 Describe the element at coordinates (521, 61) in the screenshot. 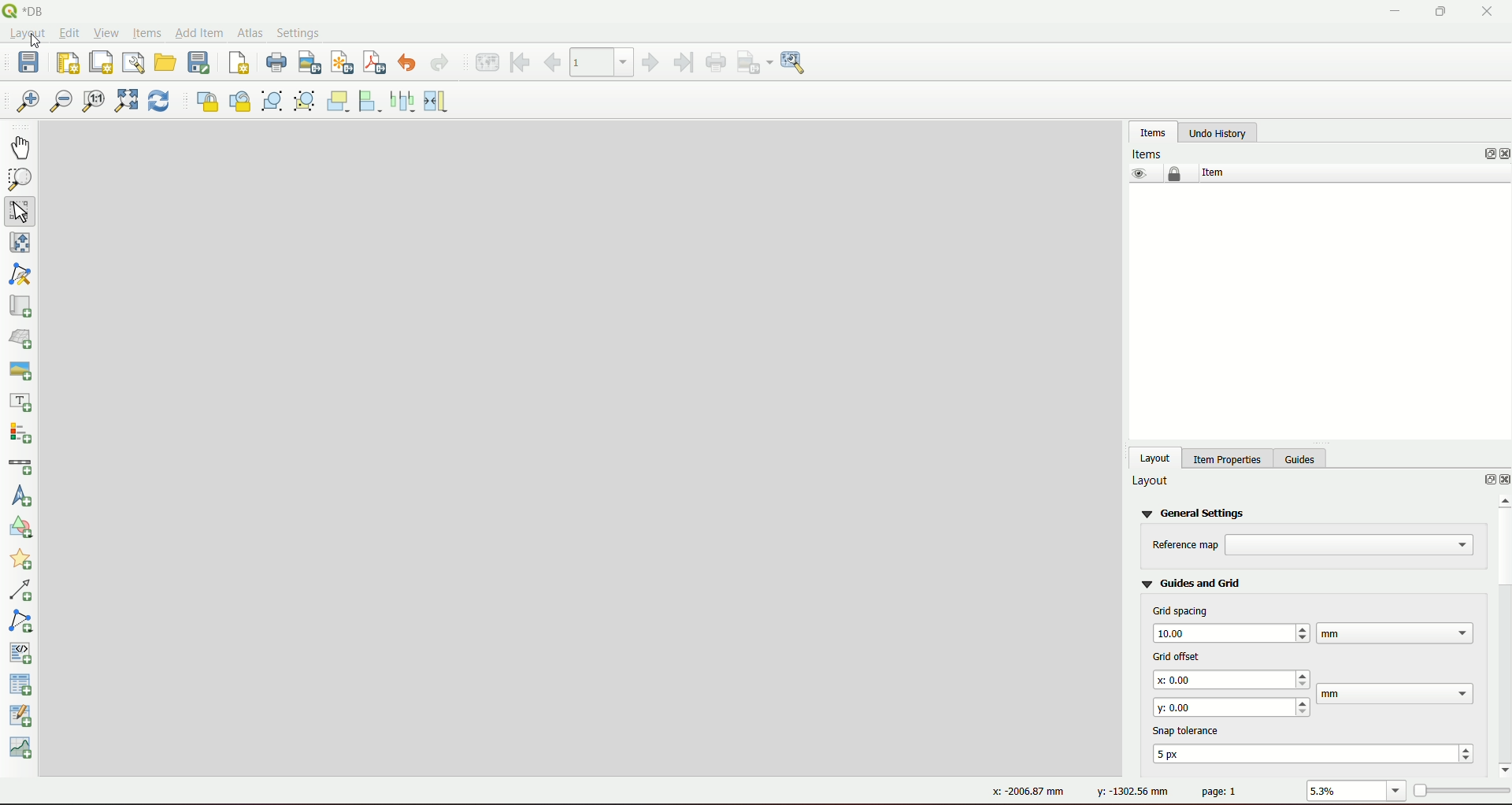

I see `first feature` at that location.